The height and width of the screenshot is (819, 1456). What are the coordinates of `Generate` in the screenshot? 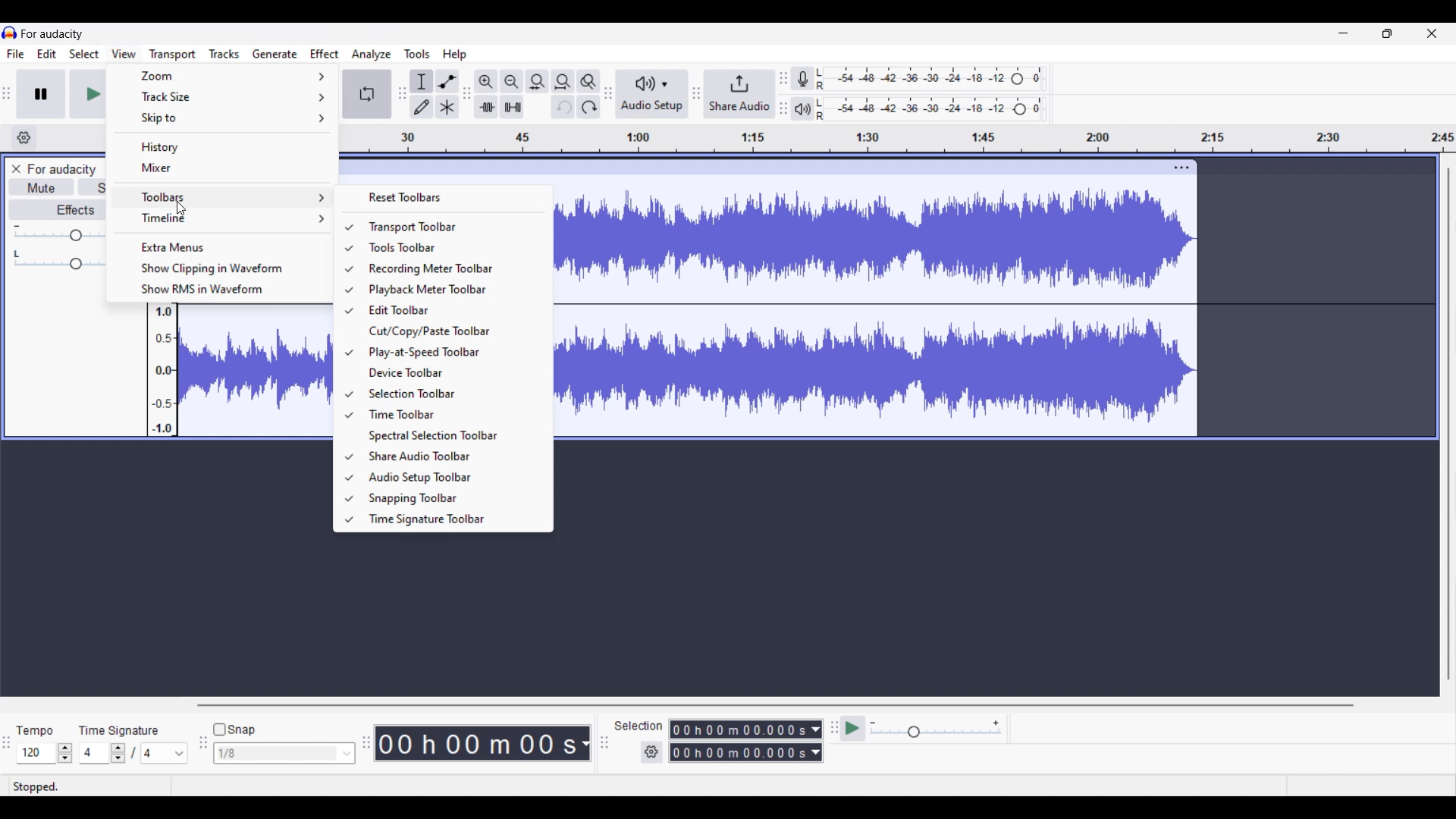 It's located at (275, 54).